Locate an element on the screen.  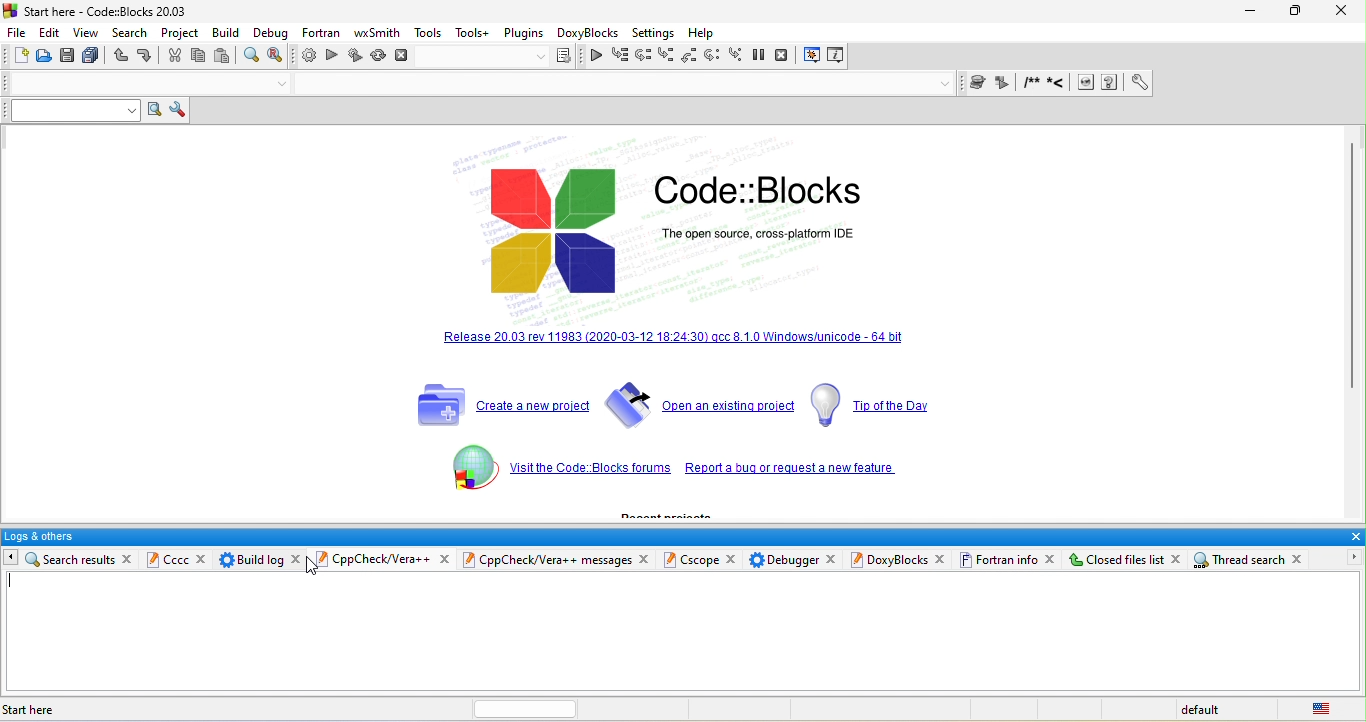
new file  is located at coordinates (18, 57).